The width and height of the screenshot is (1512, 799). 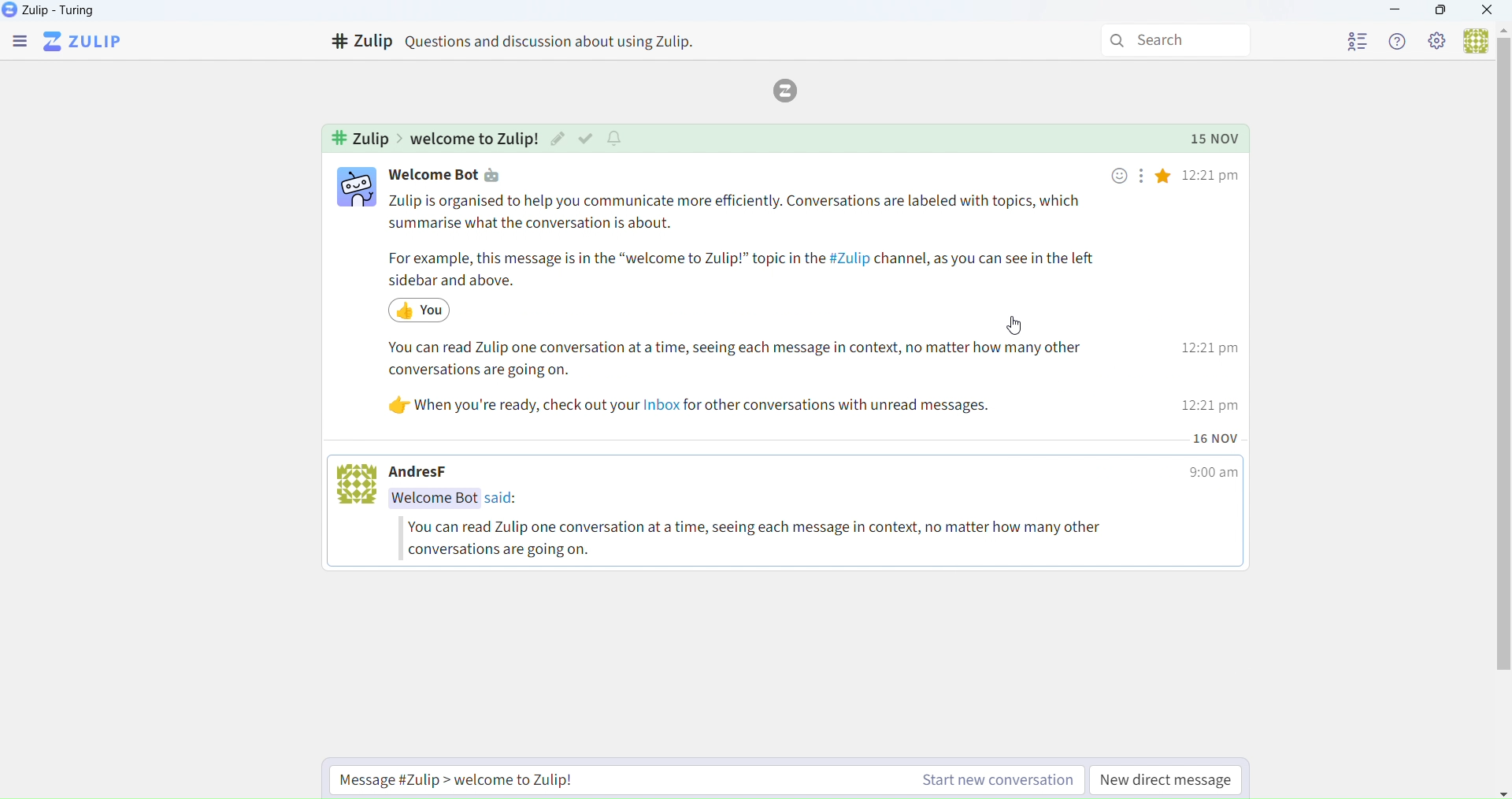 I want to click on cursor, so click(x=1017, y=327).